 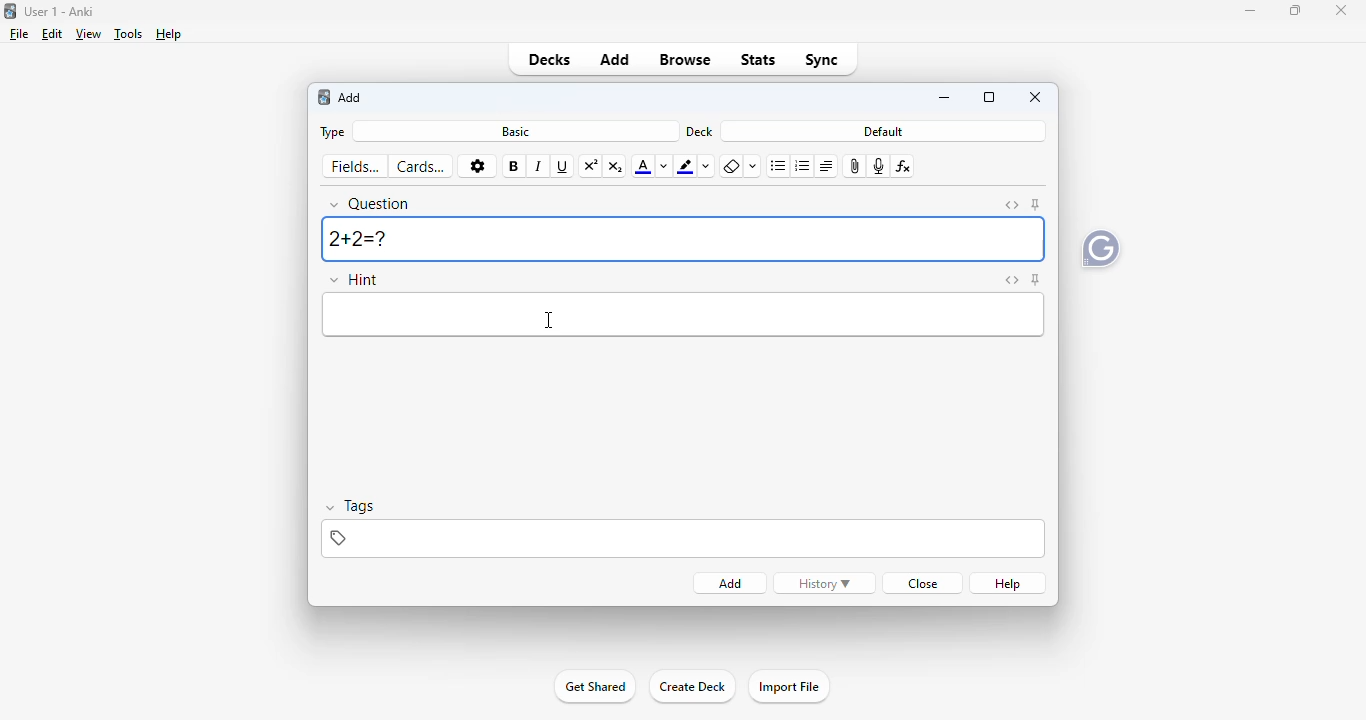 What do you see at coordinates (1013, 280) in the screenshot?
I see `toggle HTML editor` at bounding box center [1013, 280].